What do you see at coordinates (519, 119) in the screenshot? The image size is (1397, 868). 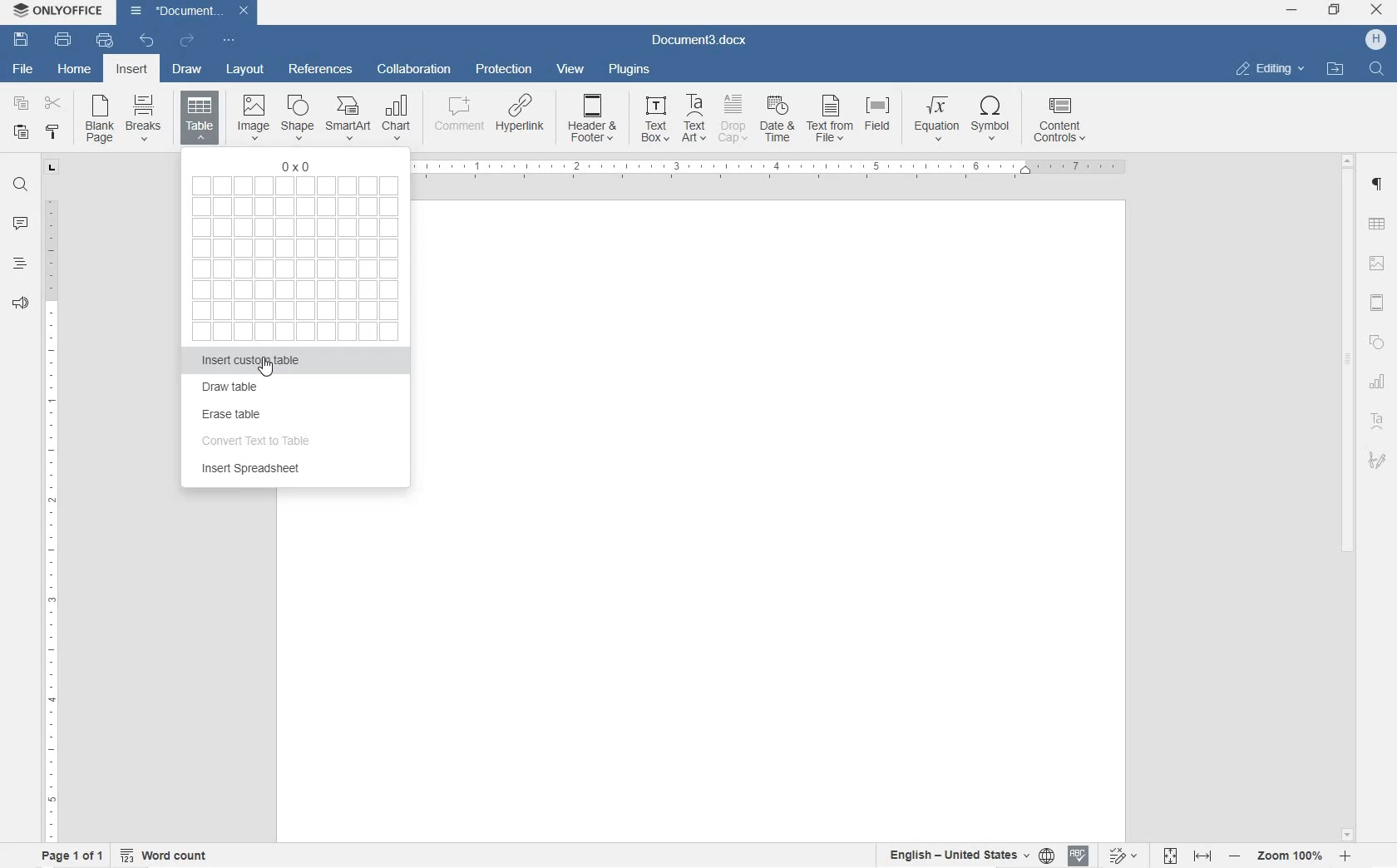 I see `Hyperlink` at bounding box center [519, 119].